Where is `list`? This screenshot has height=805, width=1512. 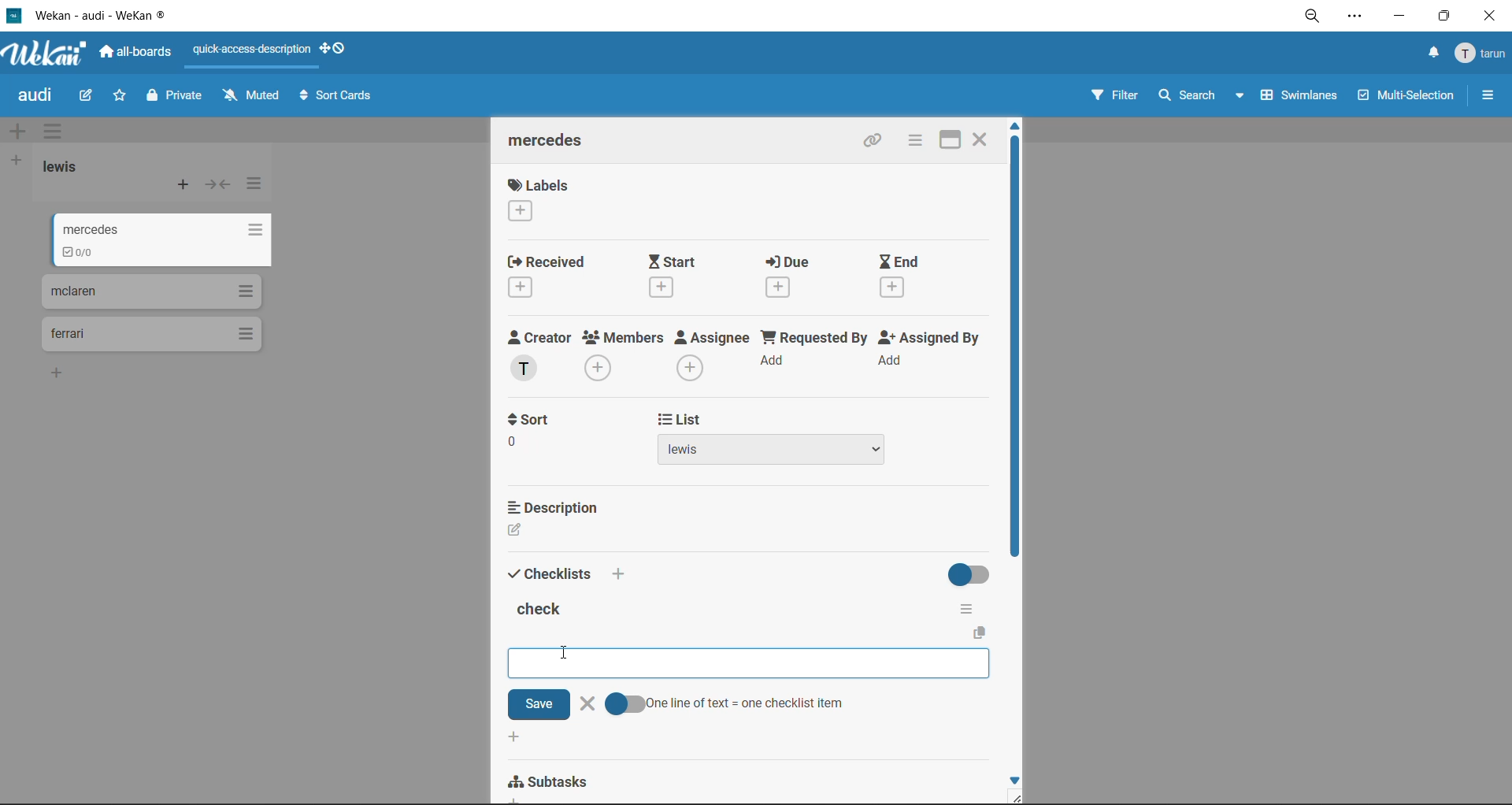
list is located at coordinates (788, 453).